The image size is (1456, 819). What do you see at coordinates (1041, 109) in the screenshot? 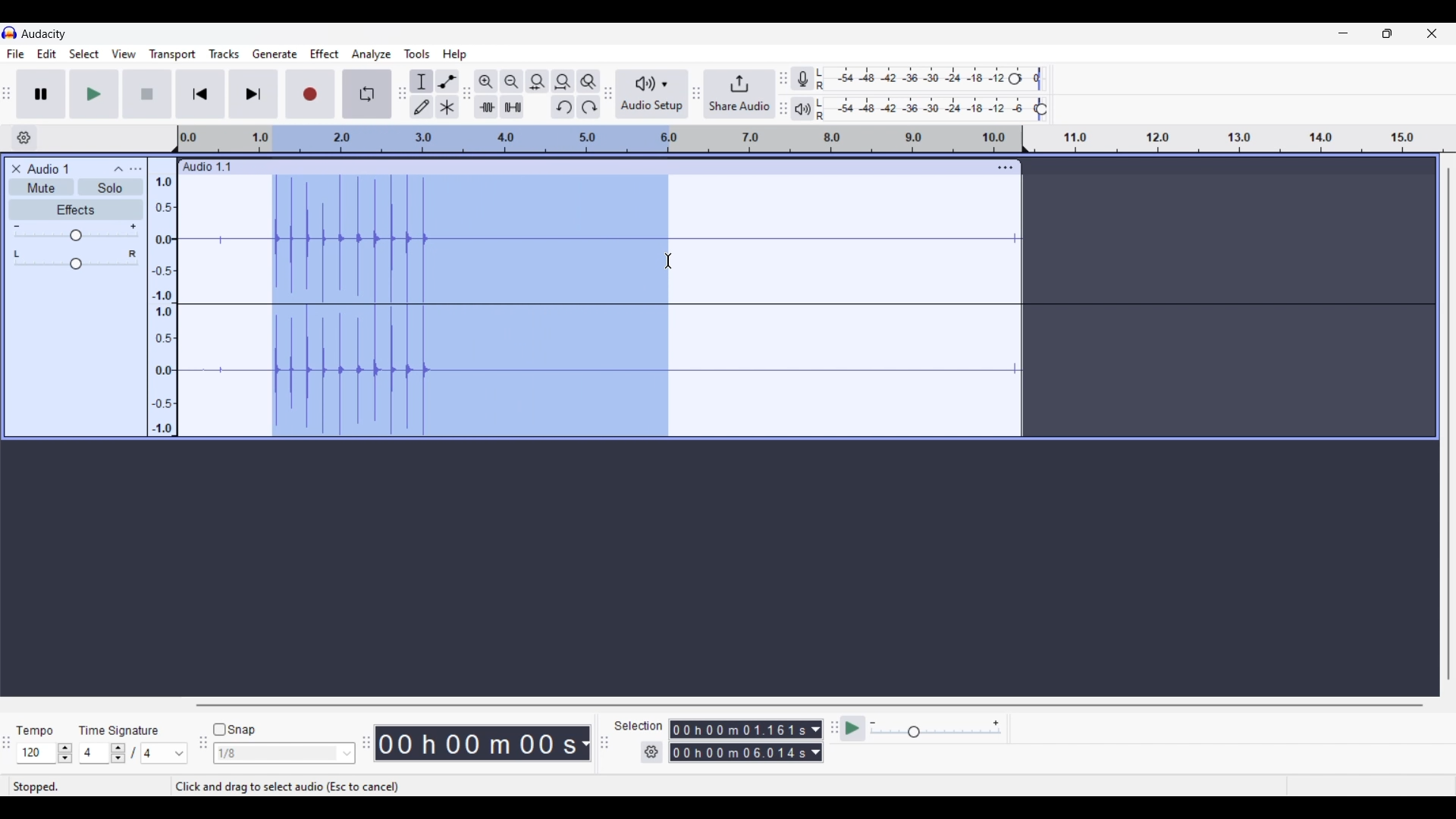
I see `Playback level header` at bounding box center [1041, 109].